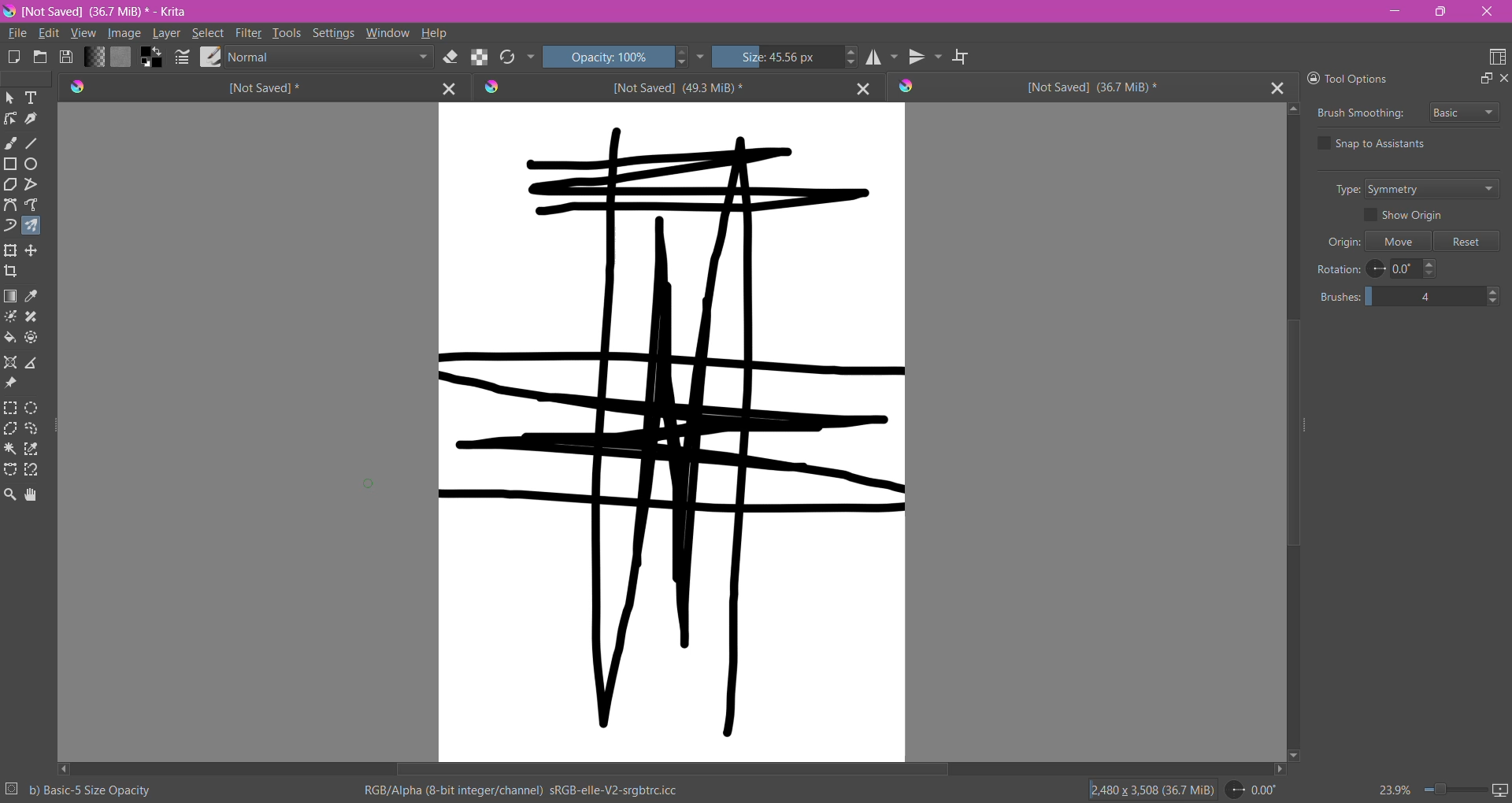 Image resolution: width=1512 pixels, height=803 pixels. Describe the element at coordinates (506, 57) in the screenshot. I see `Reload Original Presets` at that location.